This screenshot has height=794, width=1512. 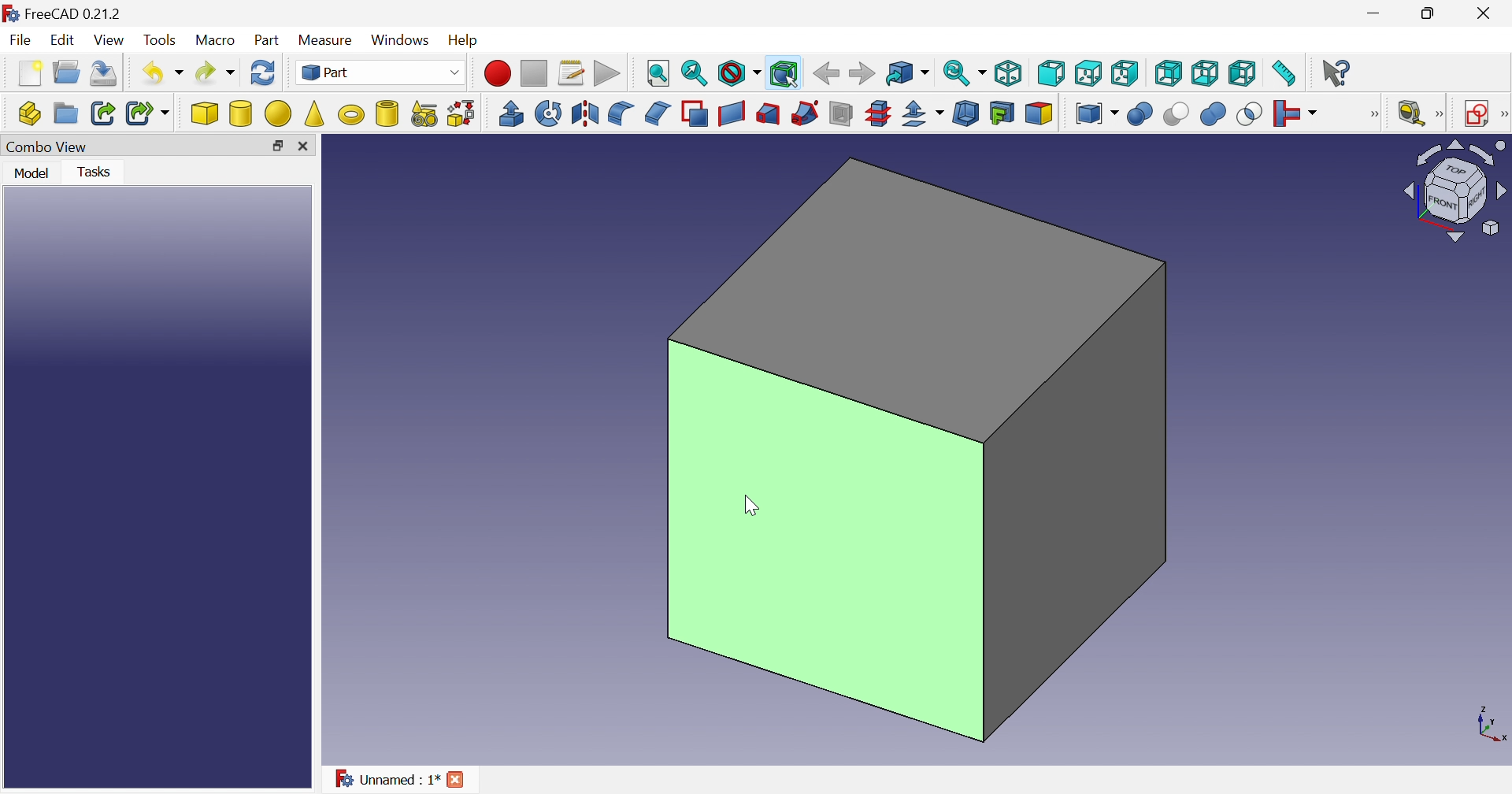 I want to click on Macro, so click(x=218, y=42).